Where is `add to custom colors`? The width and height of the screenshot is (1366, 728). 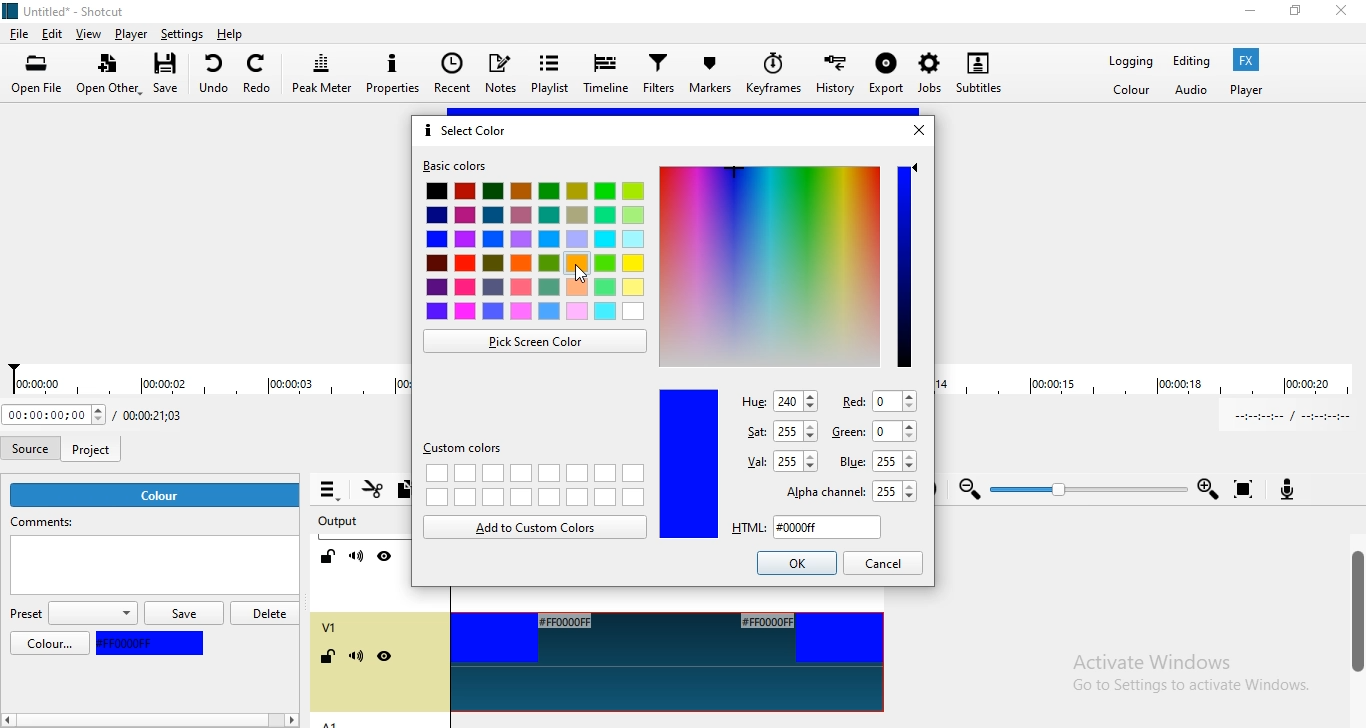
add to custom colors is located at coordinates (535, 528).